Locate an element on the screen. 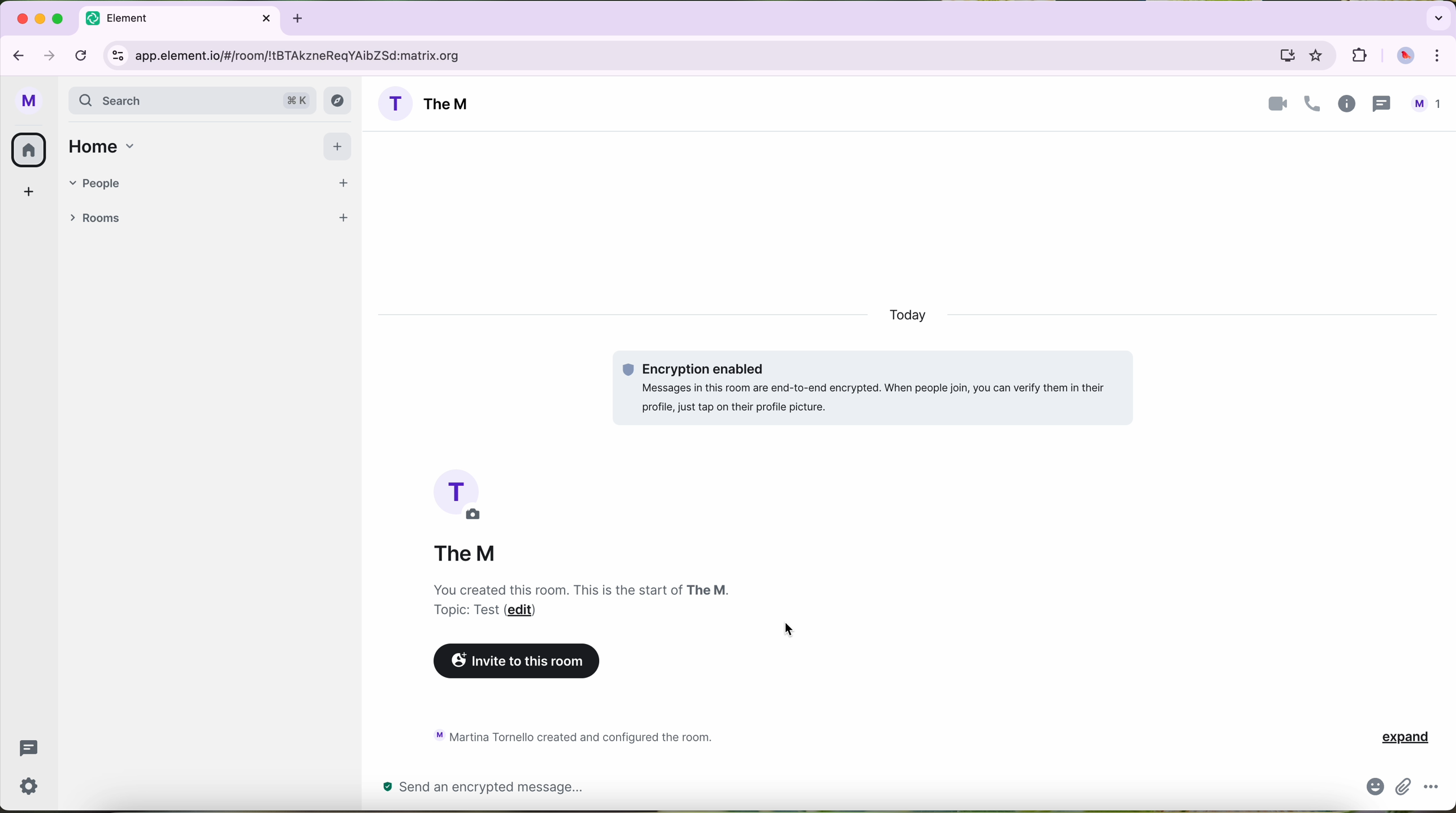  cursor is located at coordinates (792, 630).